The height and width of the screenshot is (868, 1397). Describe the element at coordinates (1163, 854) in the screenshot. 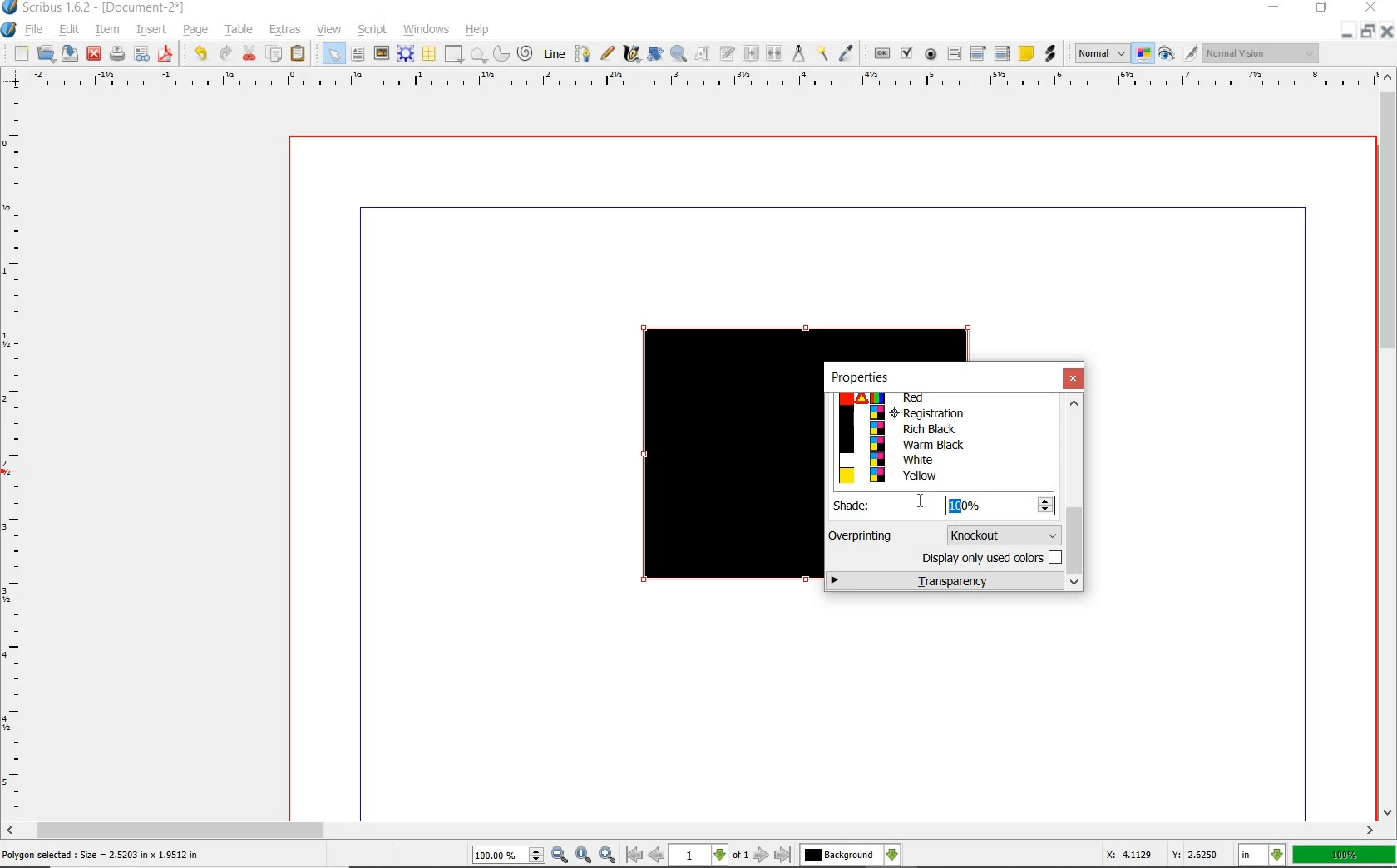

I see `X: 4.1129 Y: 2.6250` at that location.